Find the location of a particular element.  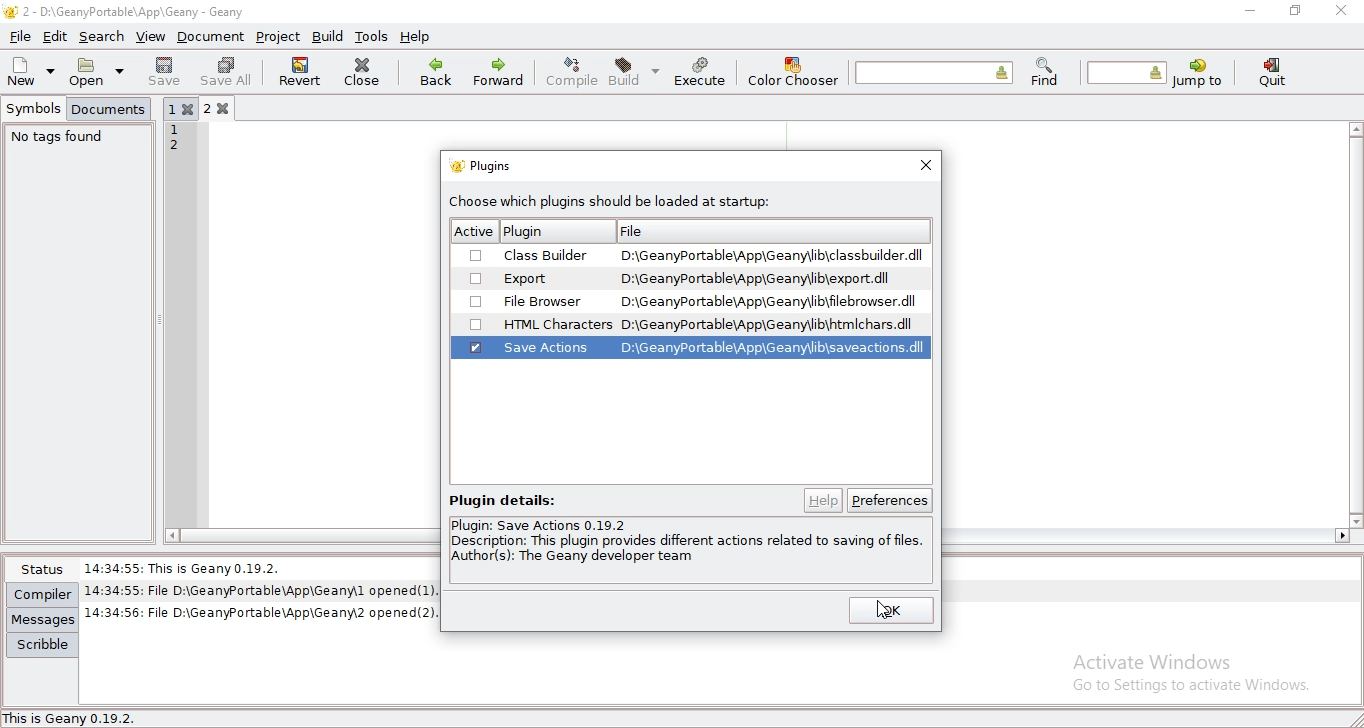

minimize is located at coordinates (1250, 11).